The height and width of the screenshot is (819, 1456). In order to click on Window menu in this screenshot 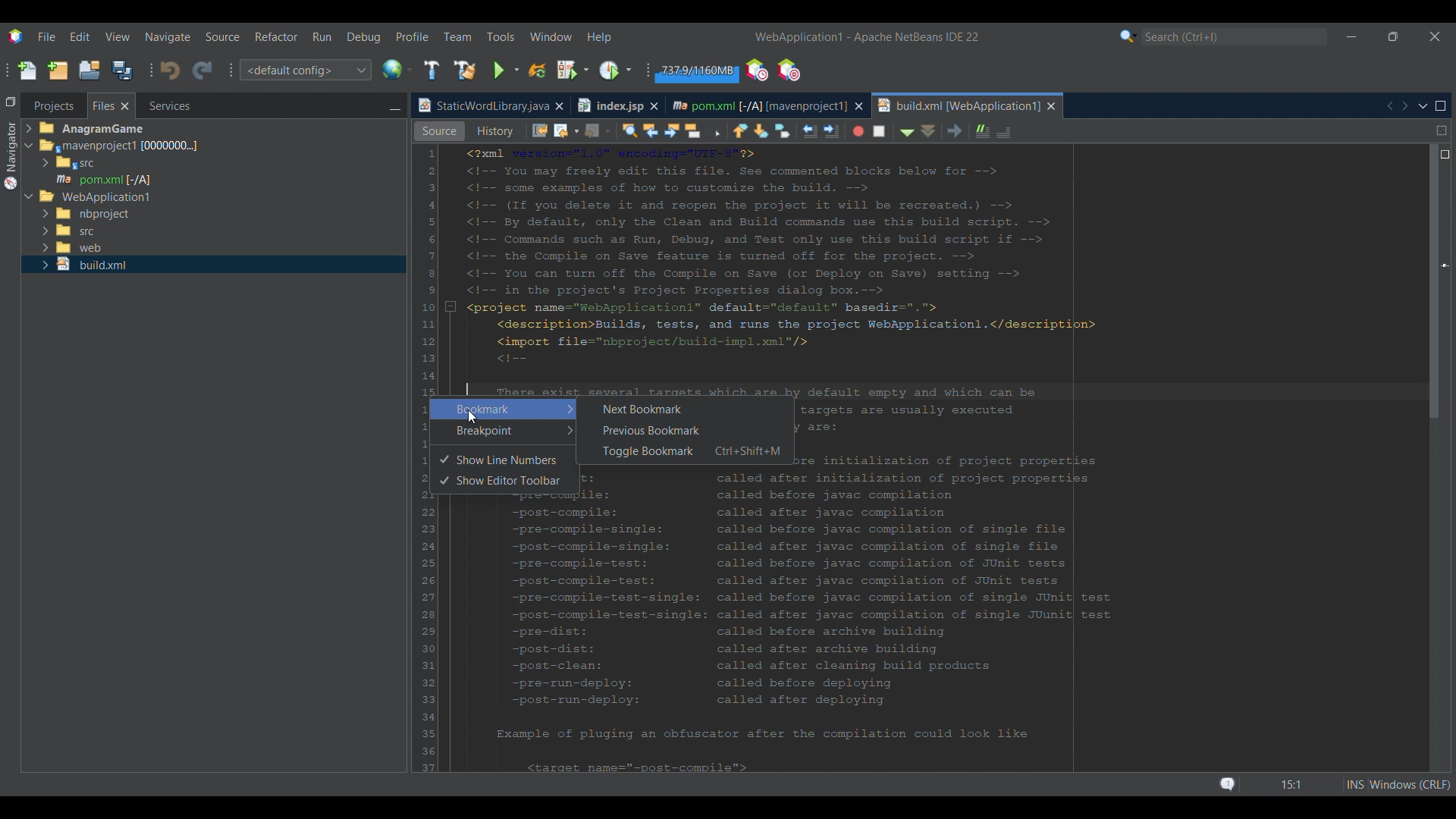, I will do `click(551, 36)`.